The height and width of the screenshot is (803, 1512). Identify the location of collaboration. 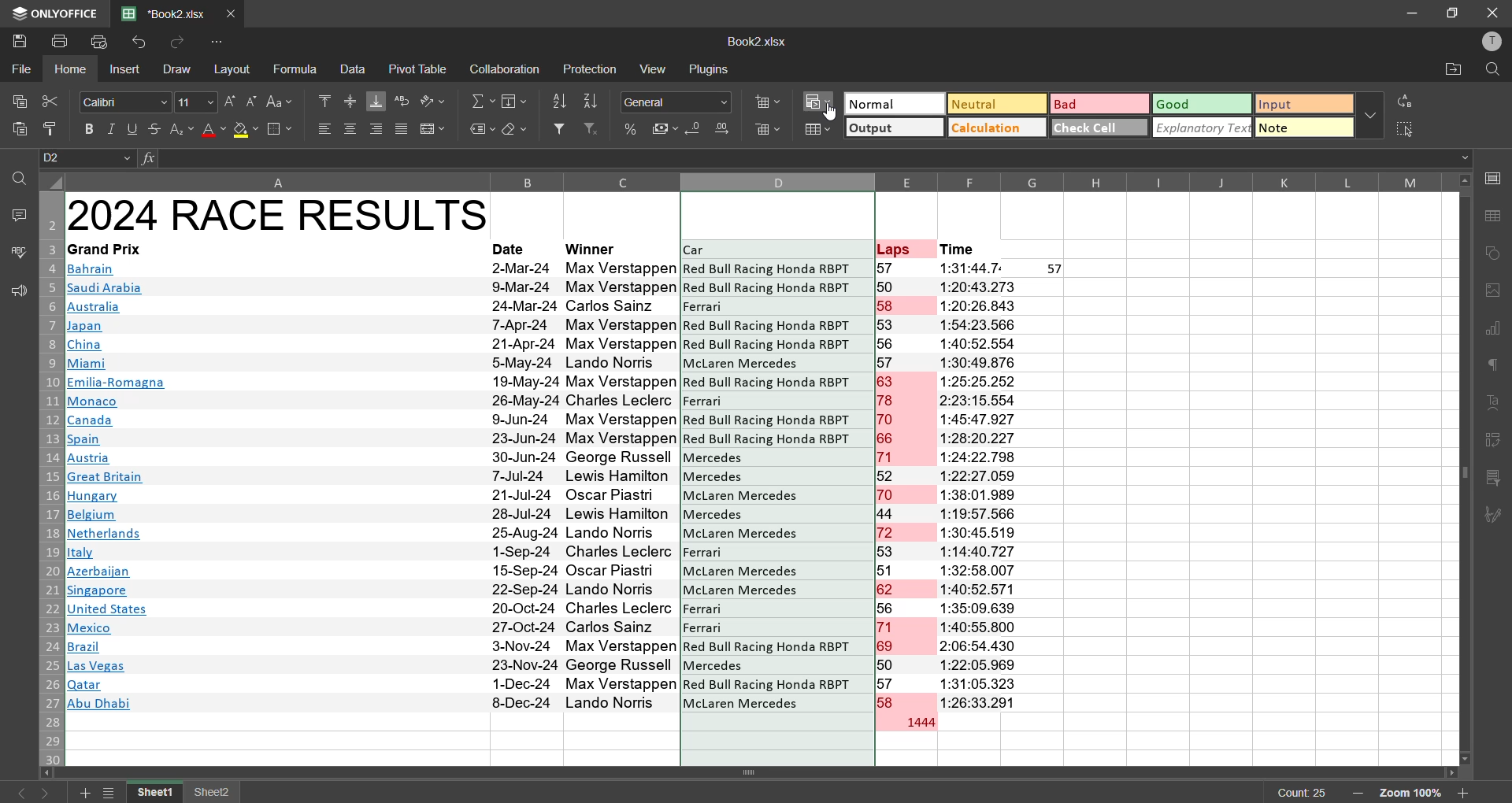
(502, 70).